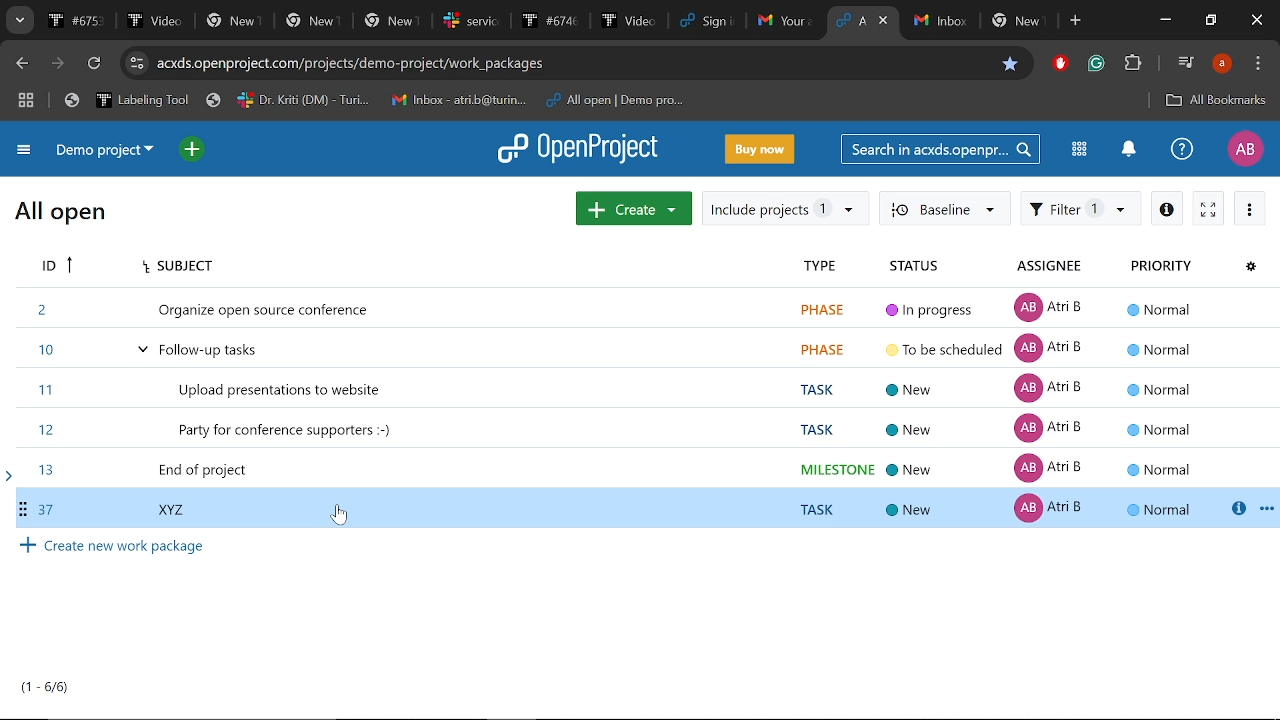 The image size is (1280, 720). I want to click on Tabs, so click(432, 20).